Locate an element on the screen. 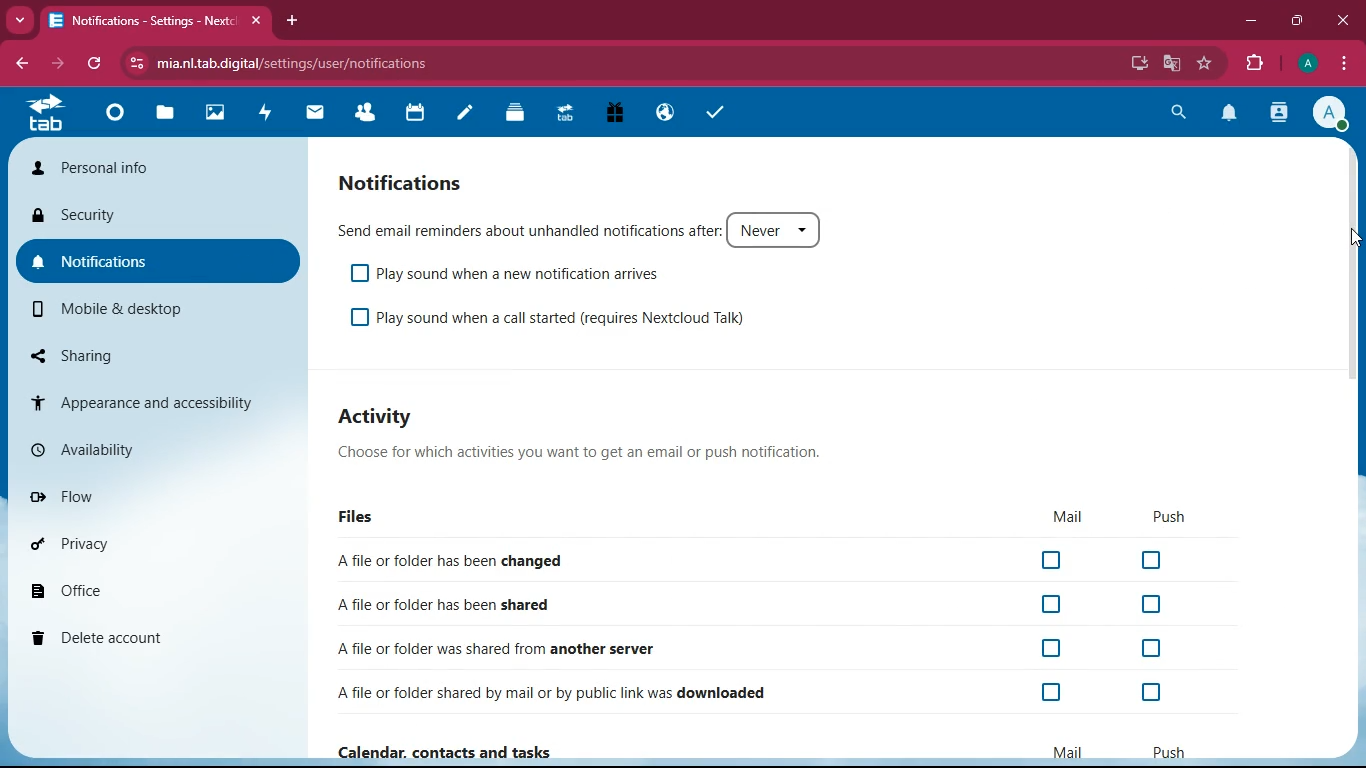 Image resolution: width=1366 pixels, height=768 pixels. flow is located at coordinates (159, 498).